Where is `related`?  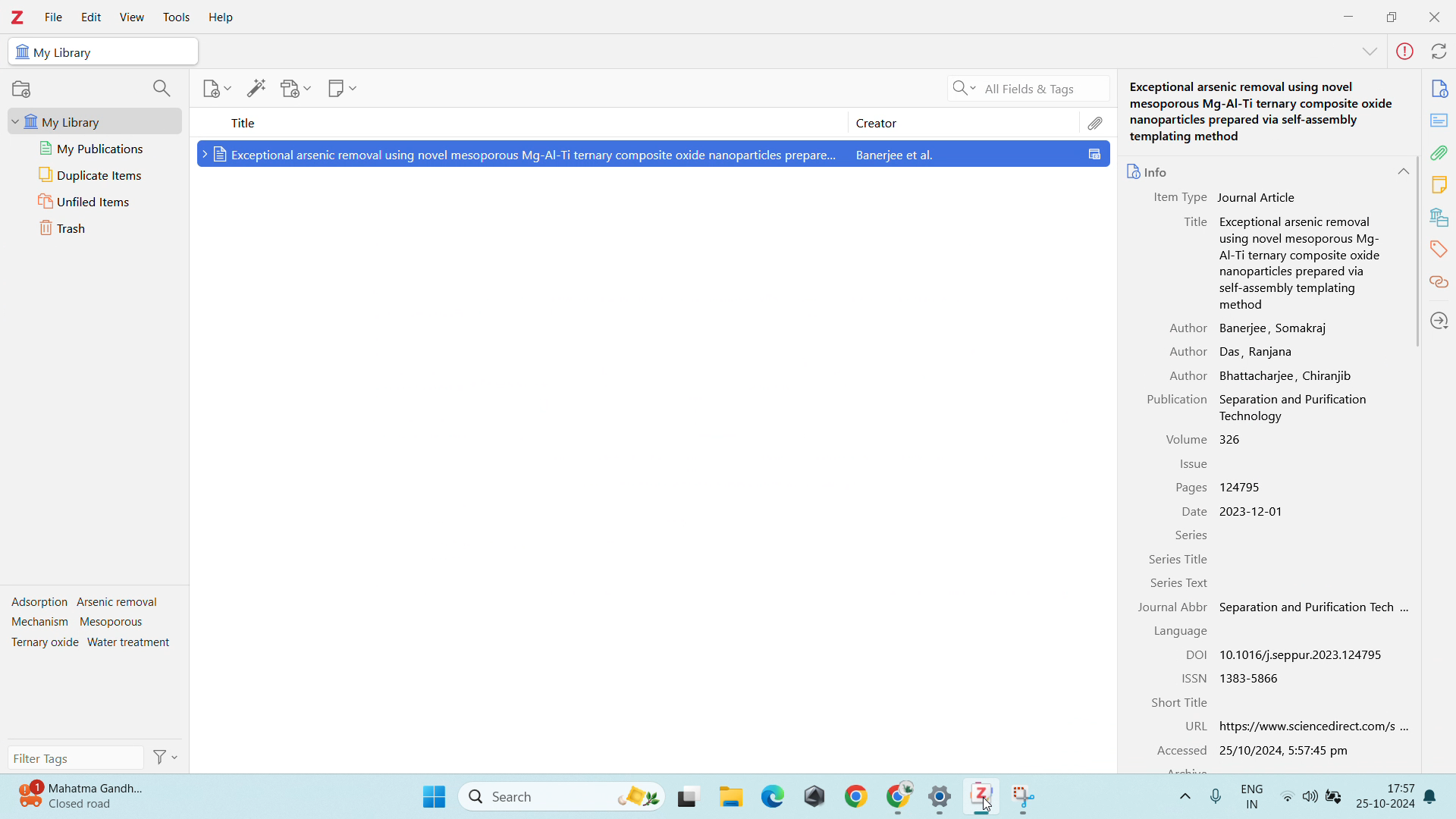
related is located at coordinates (1440, 282).